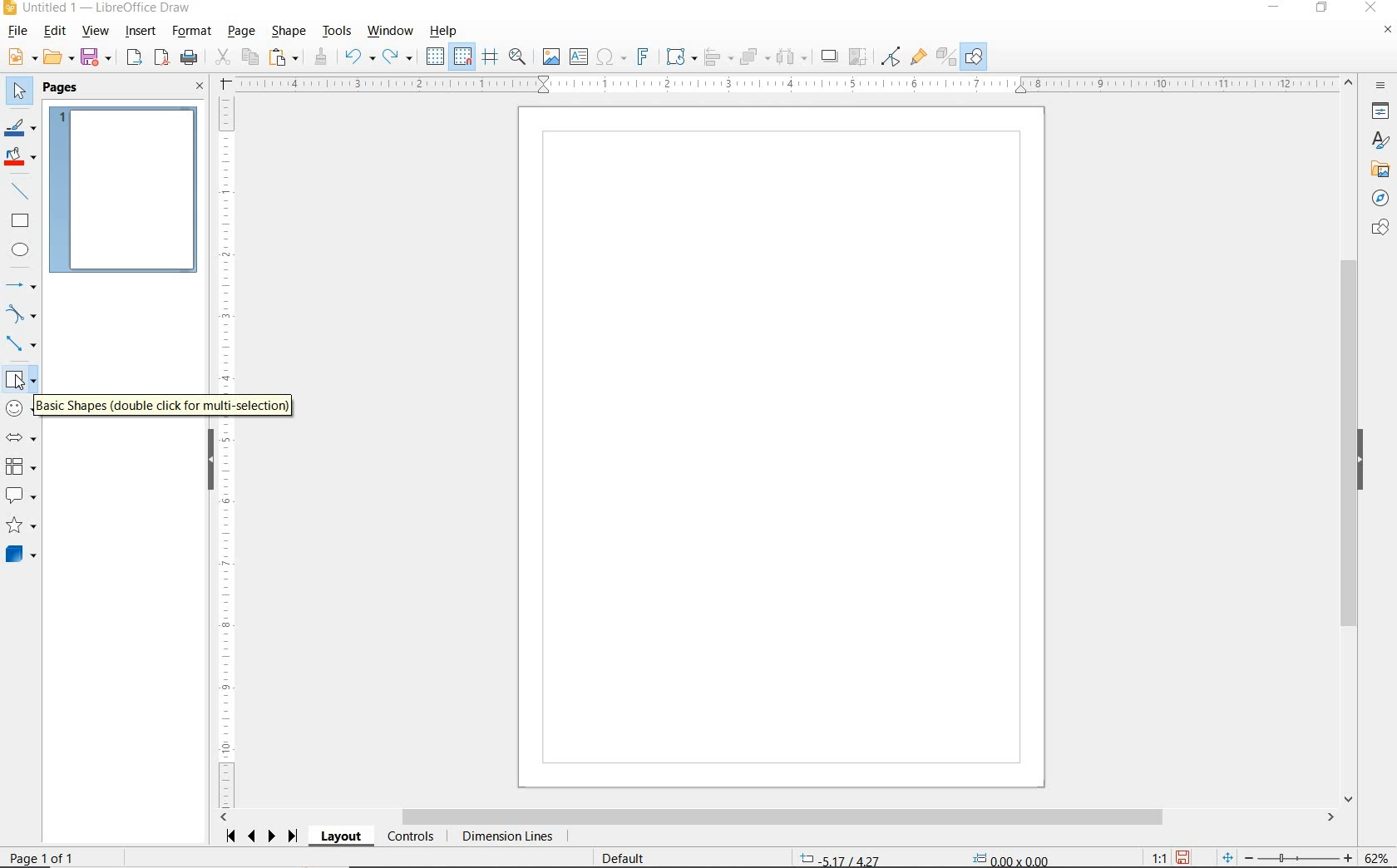 Image resolution: width=1397 pixels, height=868 pixels. What do you see at coordinates (779, 449) in the screenshot?
I see `Sketch board` at bounding box center [779, 449].